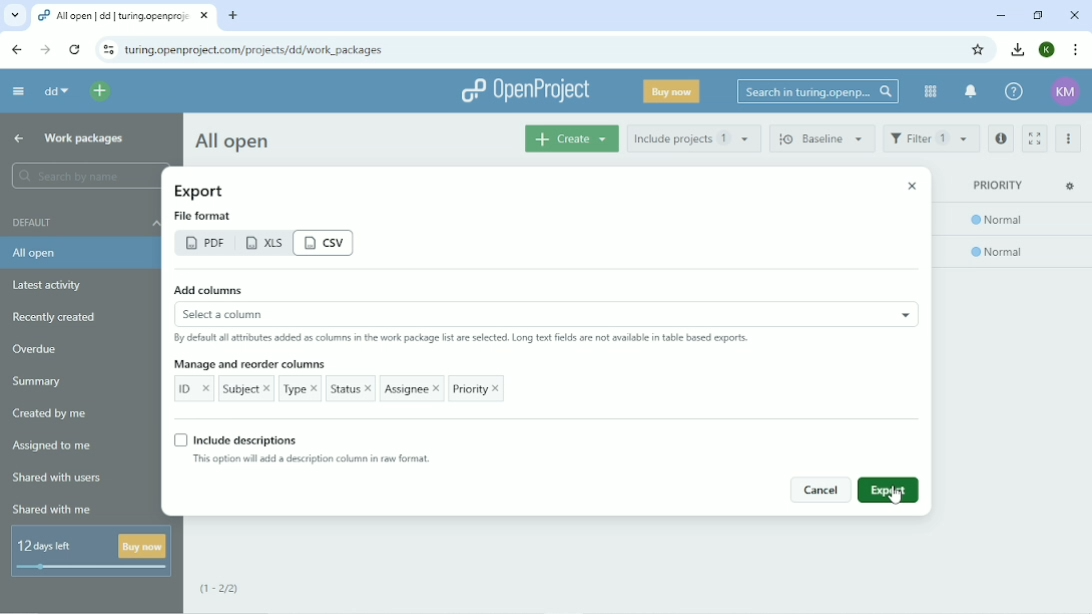 The width and height of the screenshot is (1092, 614). I want to click on dd, so click(55, 93).